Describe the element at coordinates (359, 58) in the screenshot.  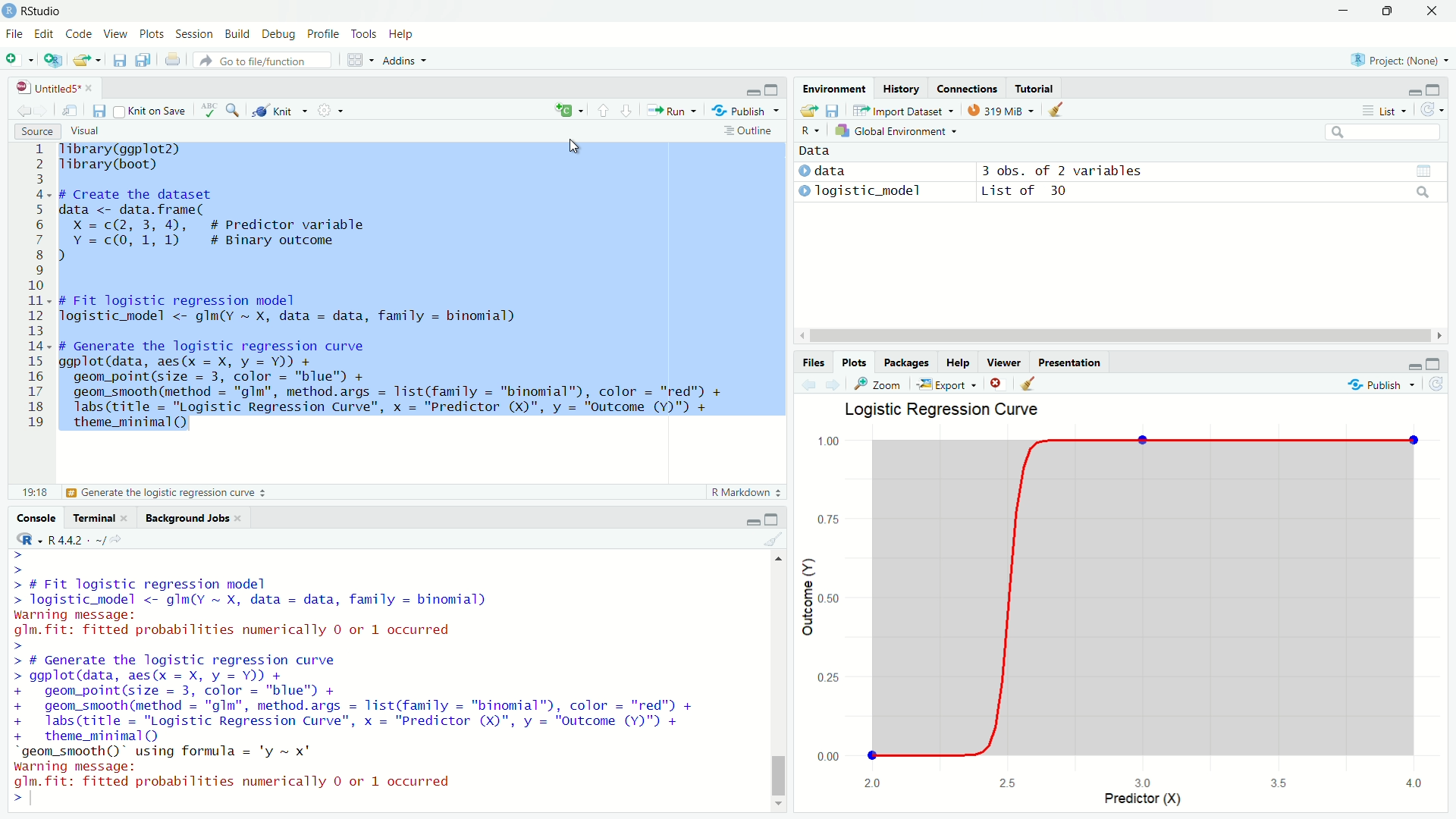
I see `Workspace panes` at that location.